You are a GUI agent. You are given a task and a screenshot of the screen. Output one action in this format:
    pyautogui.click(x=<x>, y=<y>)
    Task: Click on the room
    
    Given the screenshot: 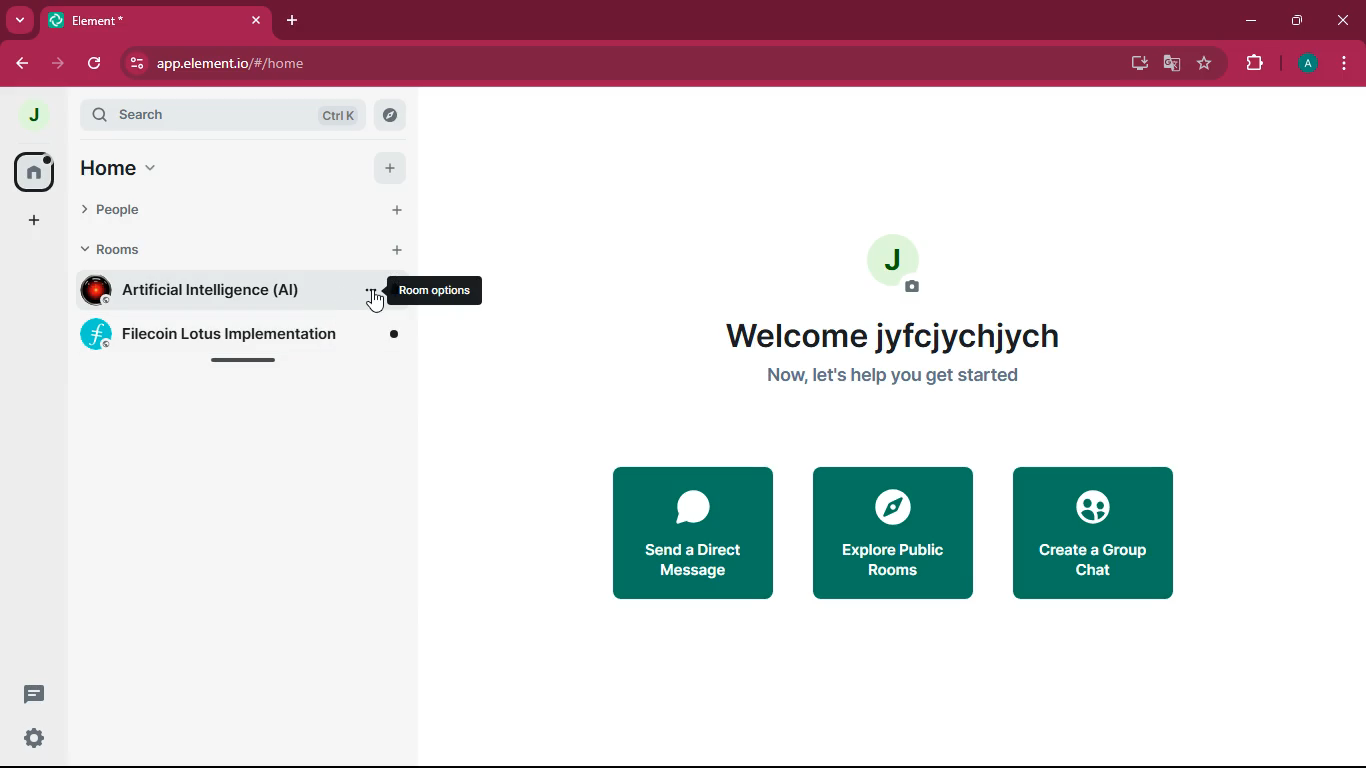 What is the action you would take?
    pyautogui.click(x=243, y=338)
    